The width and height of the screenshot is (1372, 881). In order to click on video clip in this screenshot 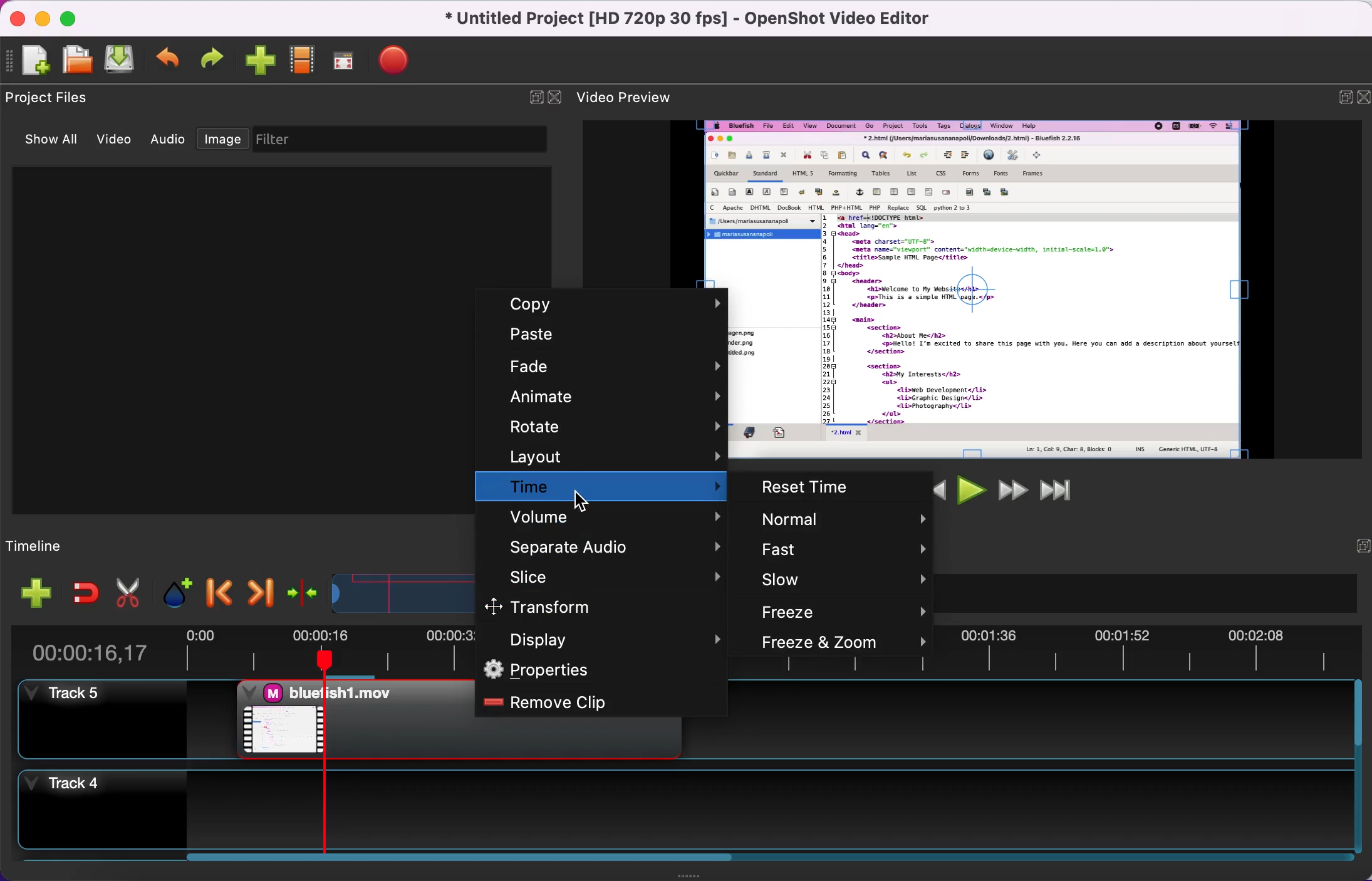, I will do `click(325, 718)`.